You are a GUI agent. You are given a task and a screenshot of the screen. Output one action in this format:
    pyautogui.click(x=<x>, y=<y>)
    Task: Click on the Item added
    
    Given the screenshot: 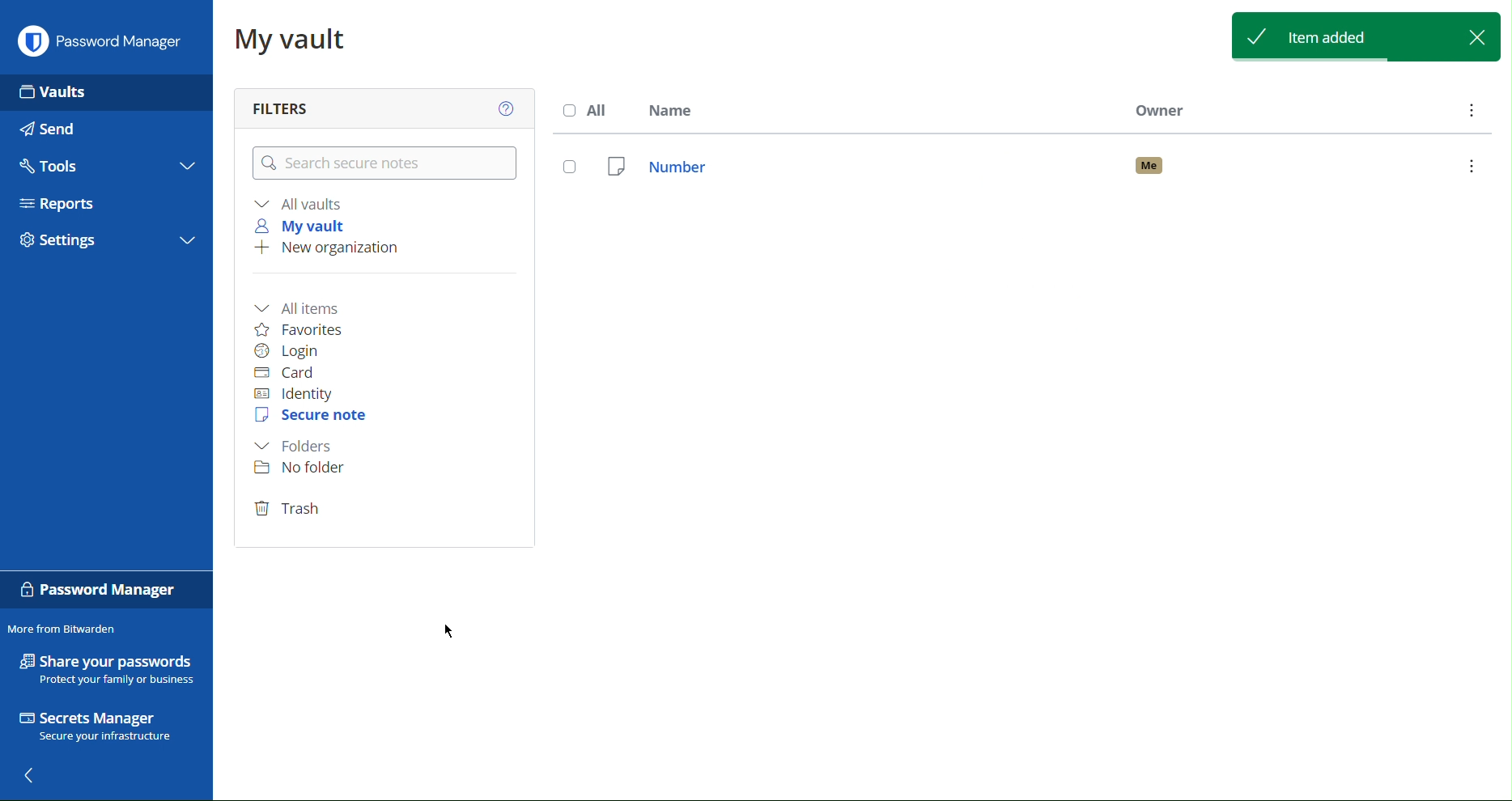 What is the action you would take?
    pyautogui.click(x=1365, y=34)
    